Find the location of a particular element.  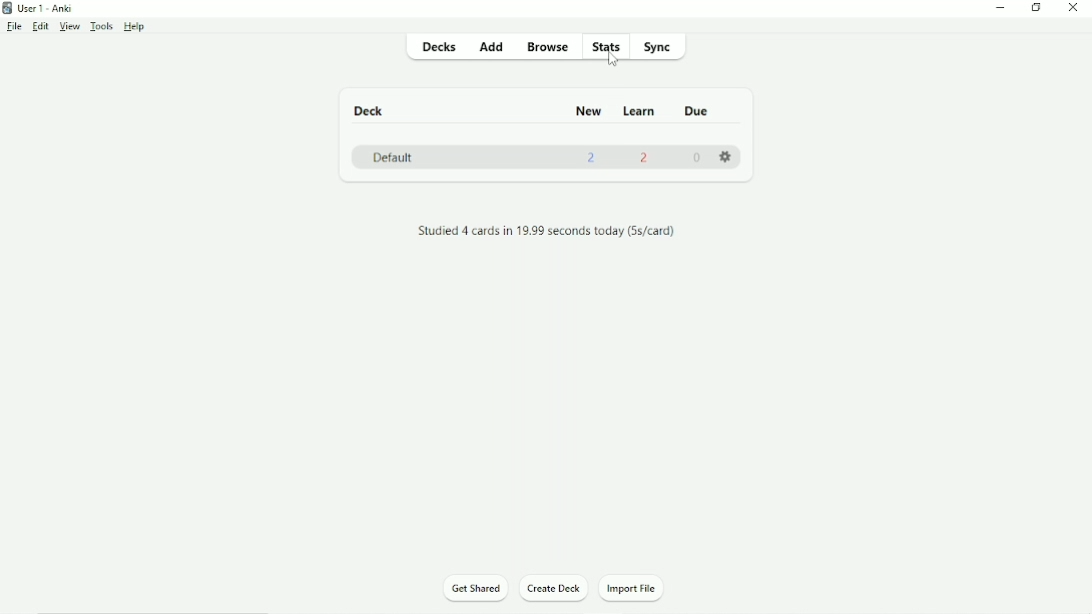

Restore down is located at coordinates (1037, 8).